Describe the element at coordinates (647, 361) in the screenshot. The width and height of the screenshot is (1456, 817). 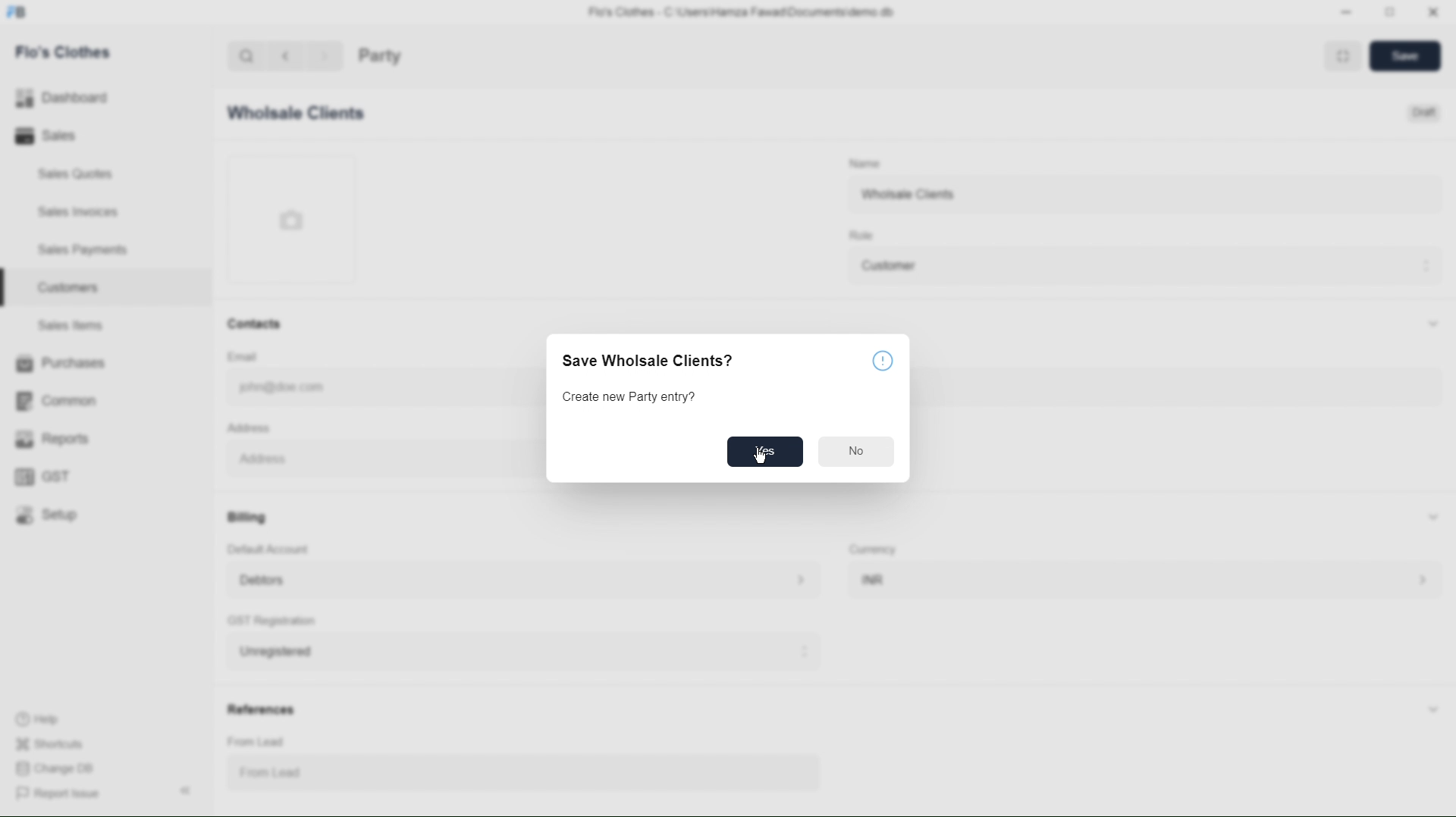
I see `Save Wholsale Clients?` at that location.